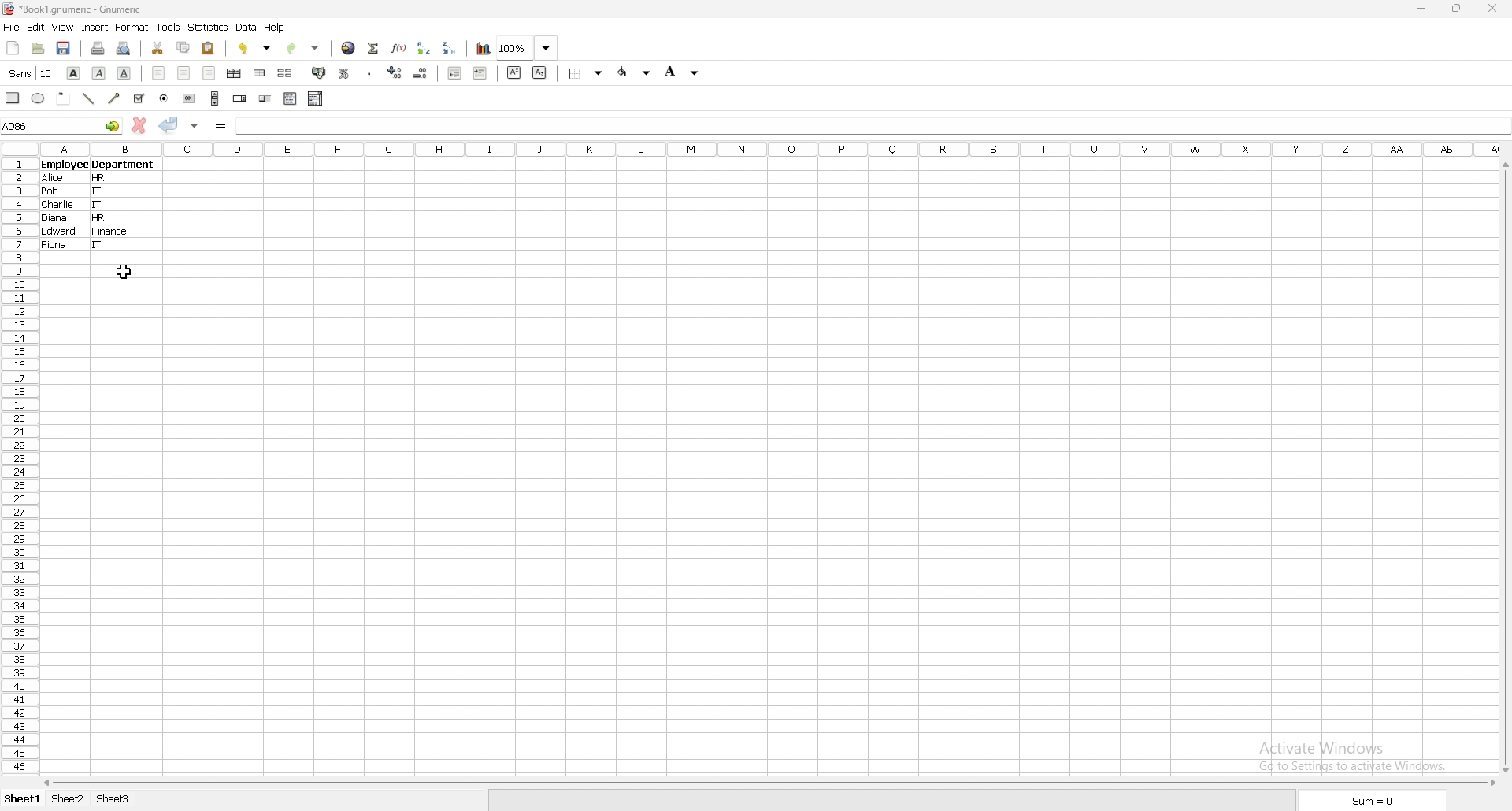 This screenshot has width=1512, height=811. I want to click on edward, so click(58, 234).